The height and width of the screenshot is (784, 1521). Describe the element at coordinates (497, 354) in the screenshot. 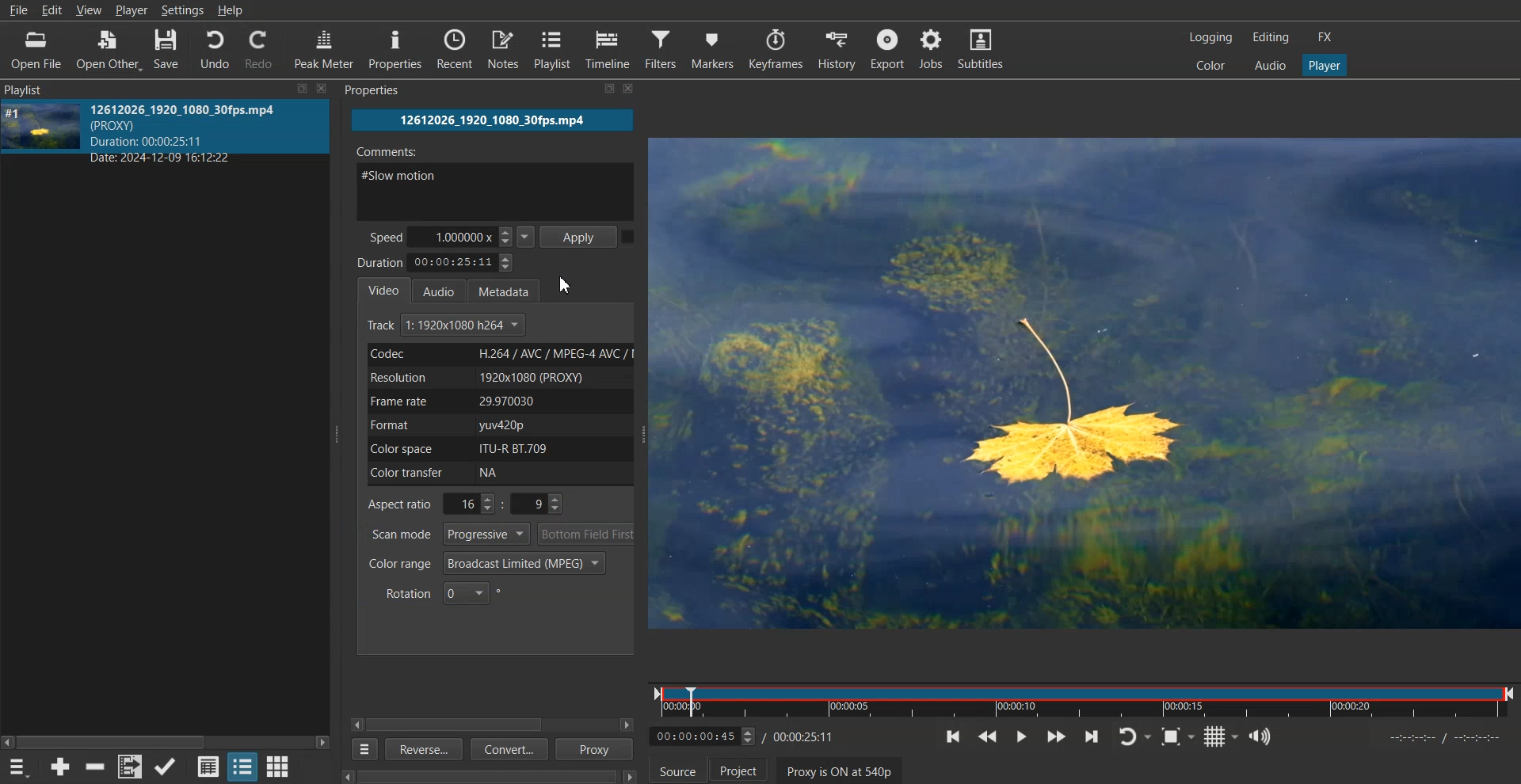

I see `Codec` at that location.